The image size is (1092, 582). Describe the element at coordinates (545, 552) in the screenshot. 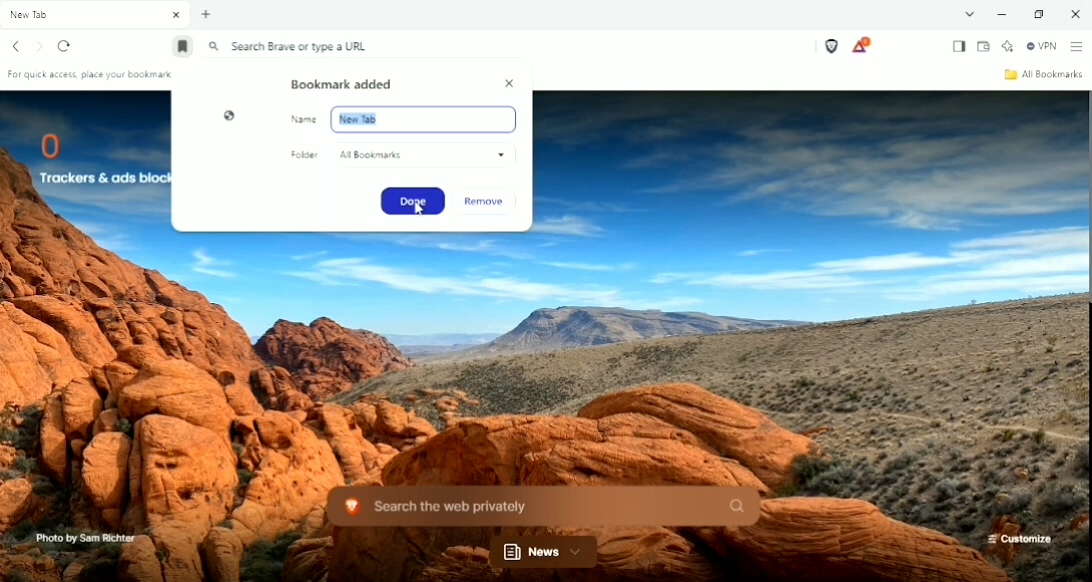

I see `News` at that location.